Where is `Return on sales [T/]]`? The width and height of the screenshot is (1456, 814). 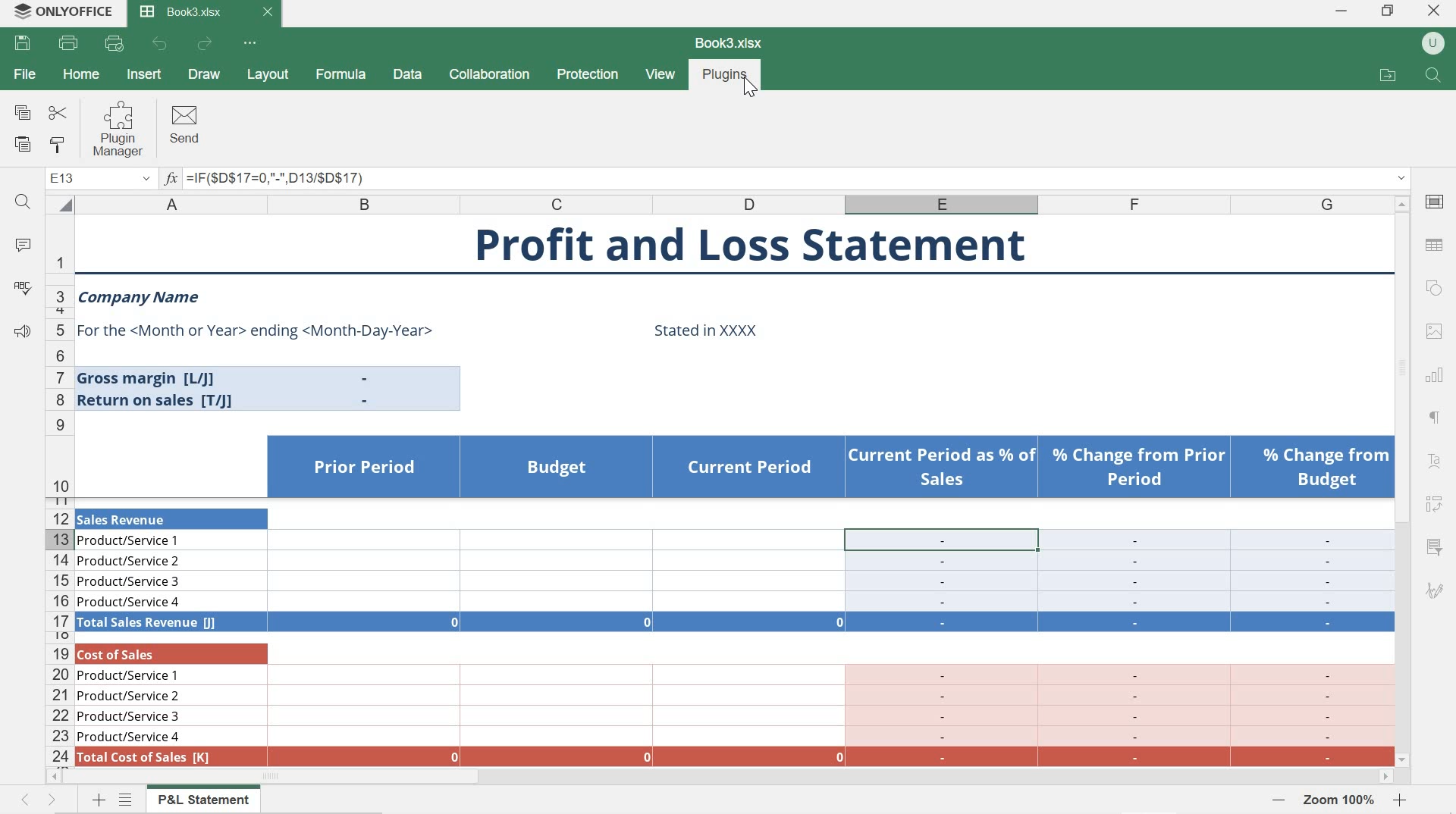
Return on sales [T/]] is located at coordinates (159, 401).